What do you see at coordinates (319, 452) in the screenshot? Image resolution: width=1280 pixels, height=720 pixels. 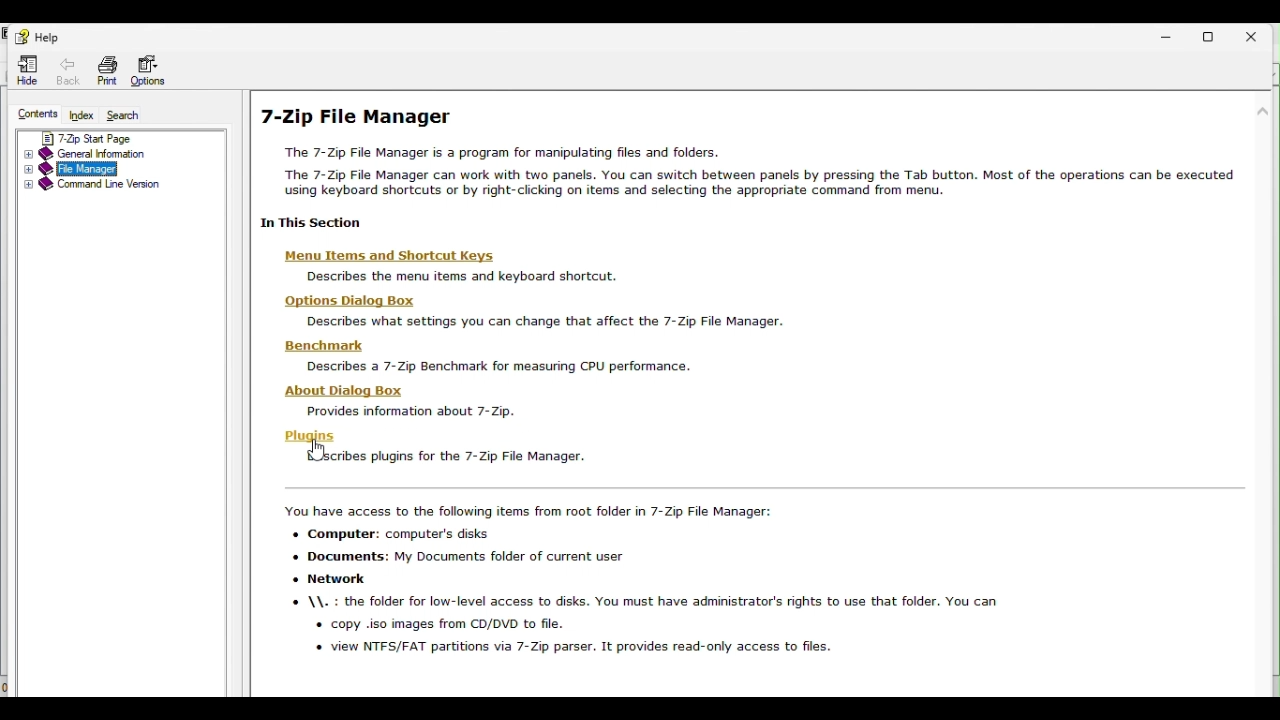 I see `cursor` at bounding box center [319, 452].